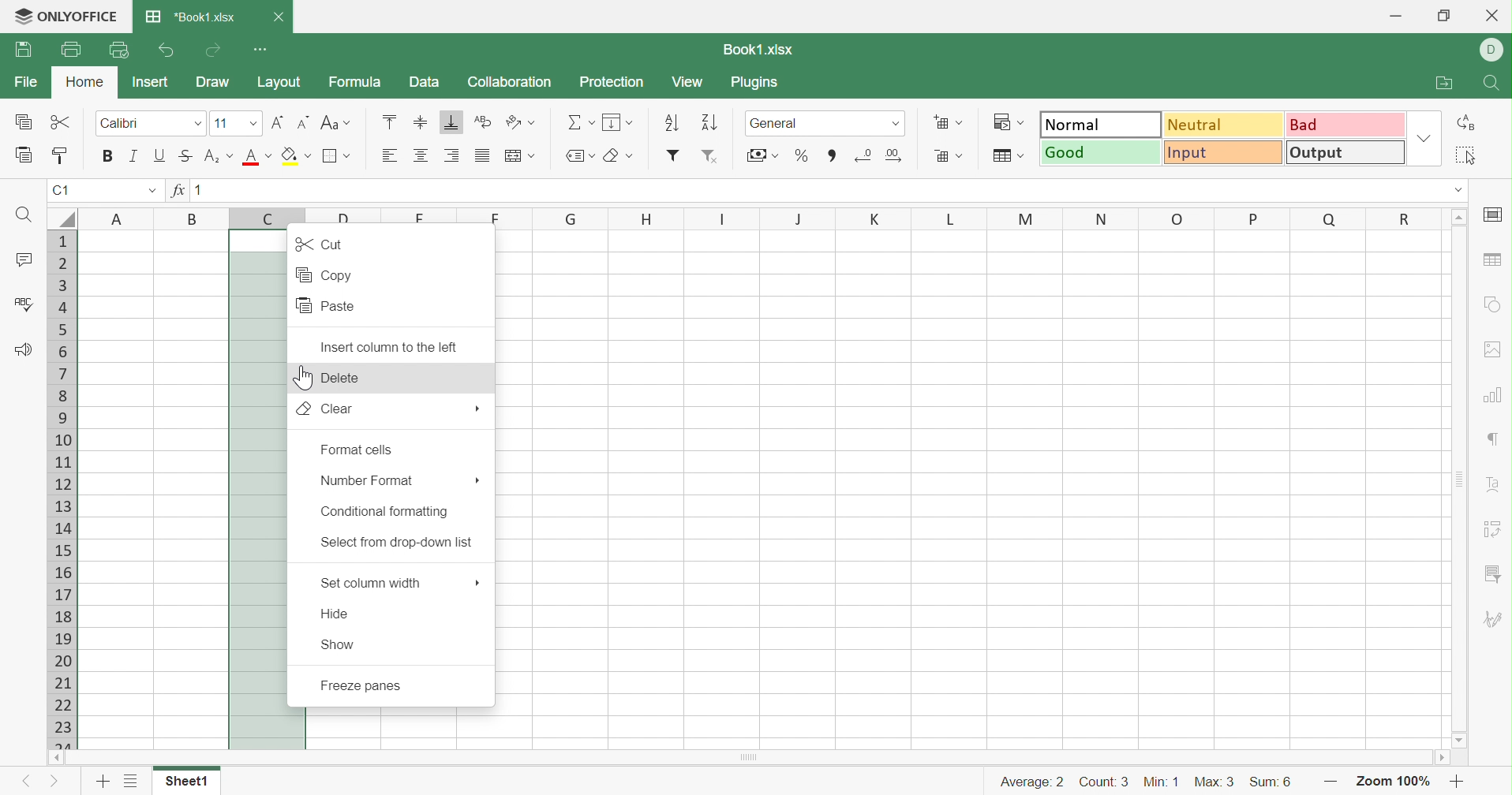  Describe the element at coordinates (453, 157) in the screenshot. I see `Align Right` at that location.